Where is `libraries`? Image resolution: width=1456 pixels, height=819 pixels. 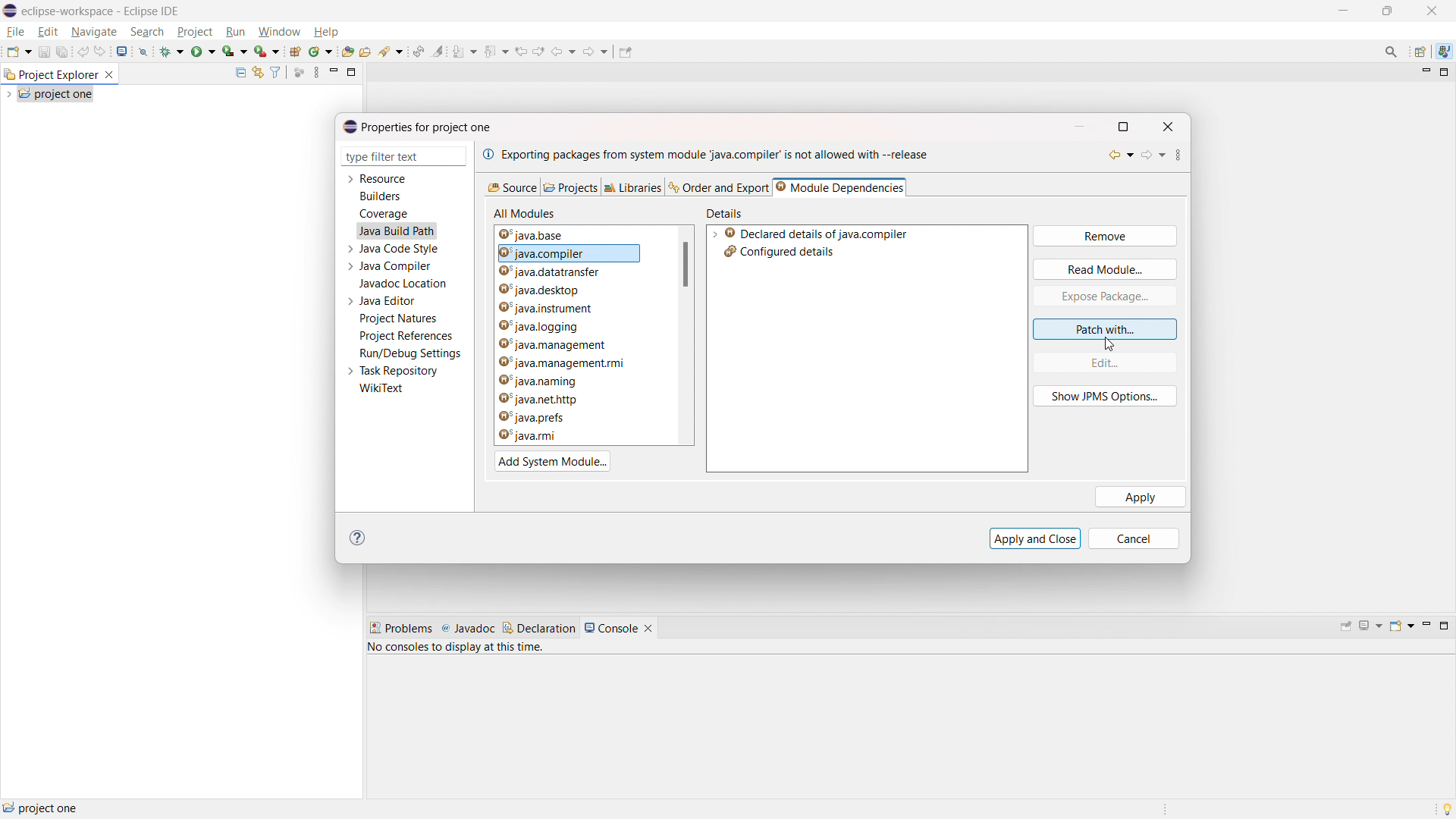
libraries is located at coordinates (634, 187).